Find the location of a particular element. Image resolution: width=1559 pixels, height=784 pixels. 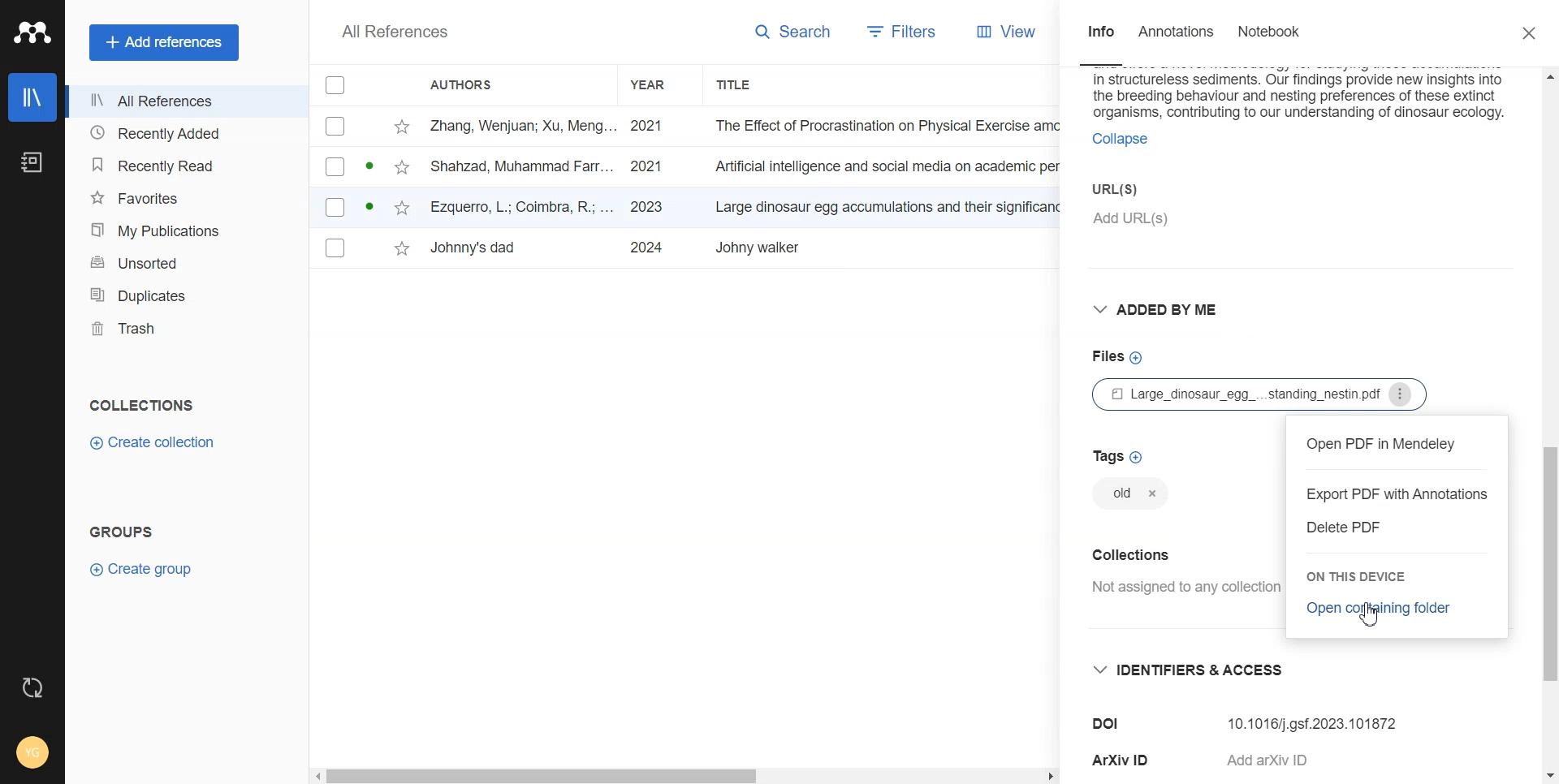

unread is located at coordinates (368, 205).